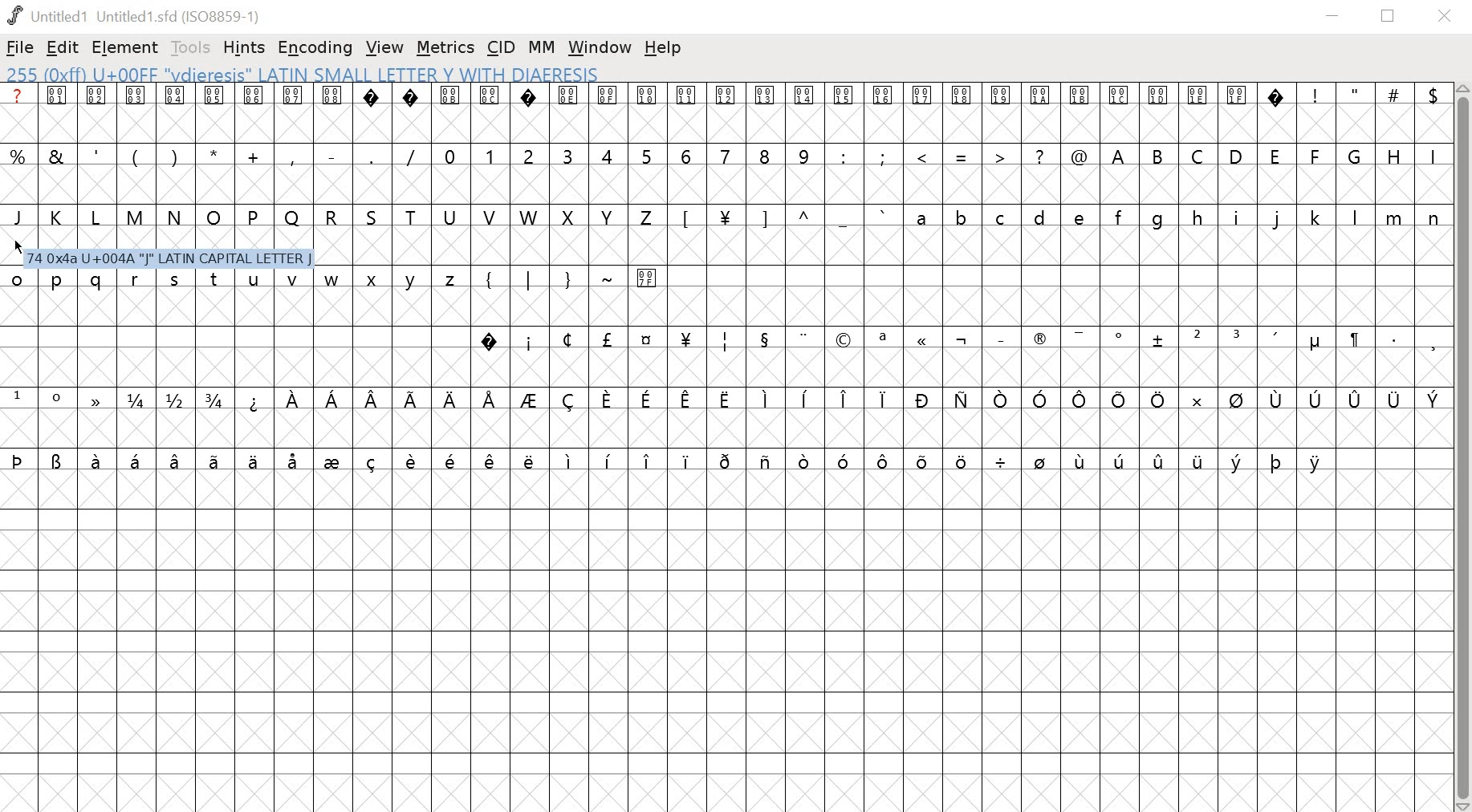 The height and width of the screenshot is (812, 1472). What do you see at coordinates (246, 49) in the screenshot?
I see `HINTS` at bounding box center [246, 49].